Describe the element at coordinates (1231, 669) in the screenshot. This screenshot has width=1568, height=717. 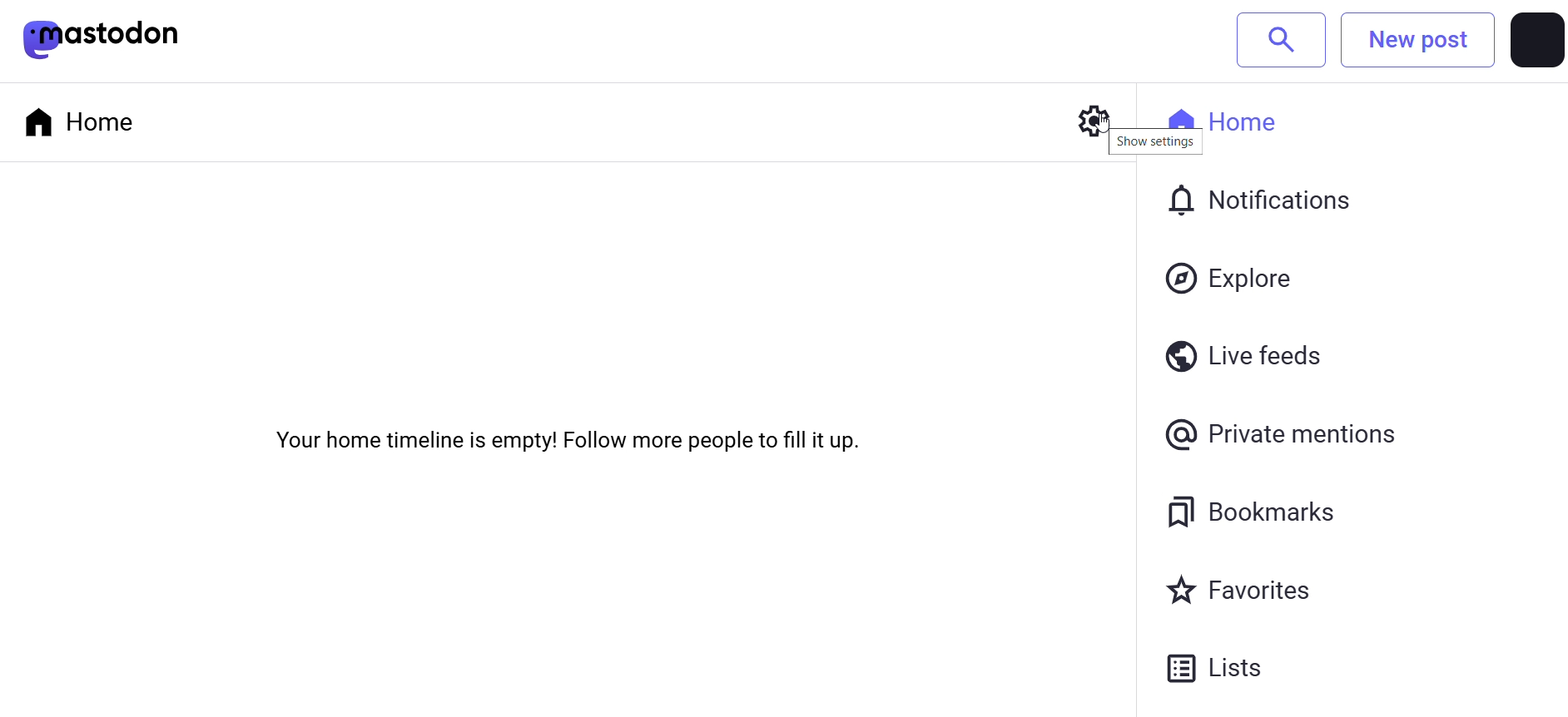
I see `Lists` at that location.